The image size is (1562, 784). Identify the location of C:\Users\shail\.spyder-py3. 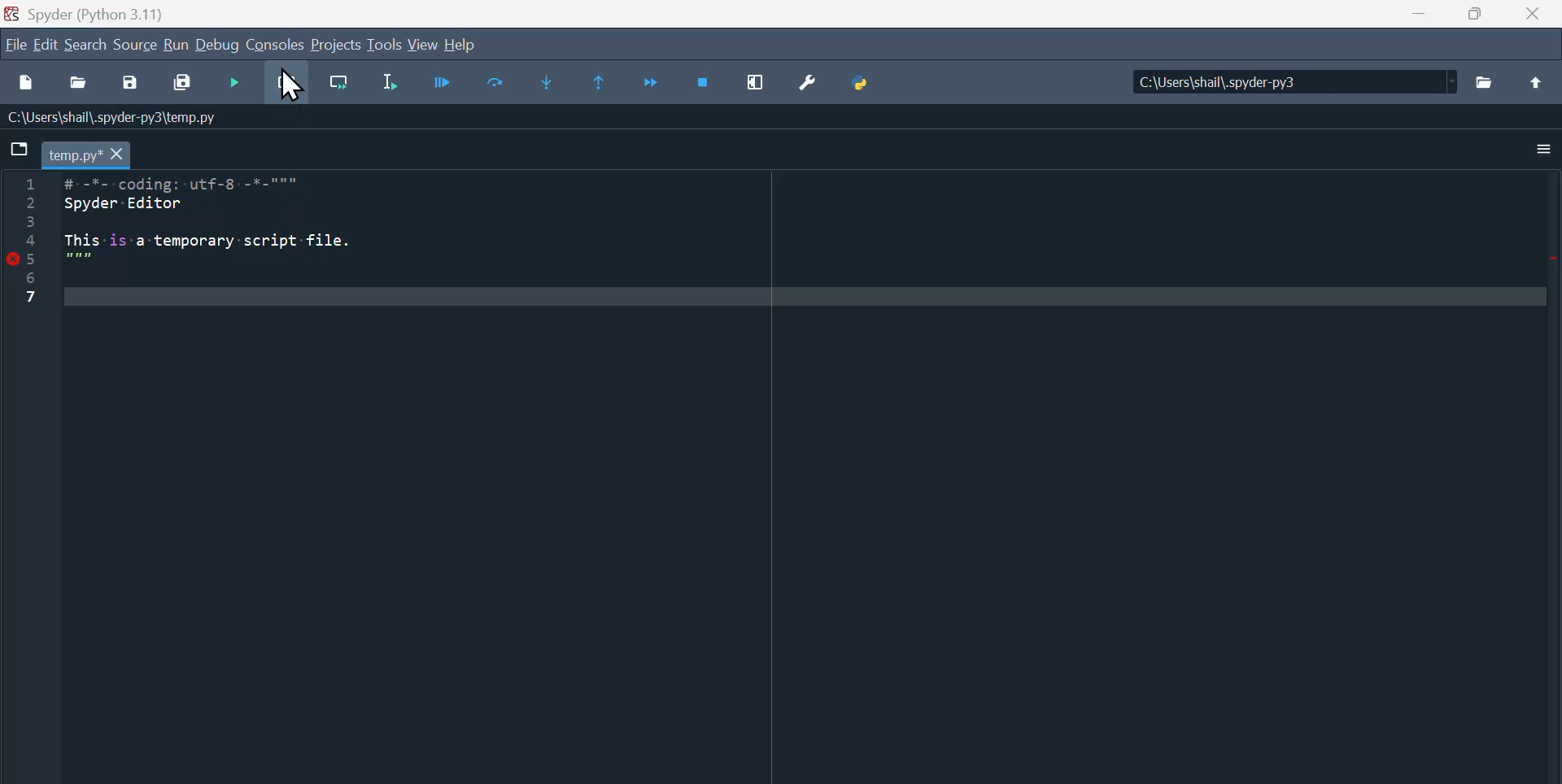
(1285, 81).